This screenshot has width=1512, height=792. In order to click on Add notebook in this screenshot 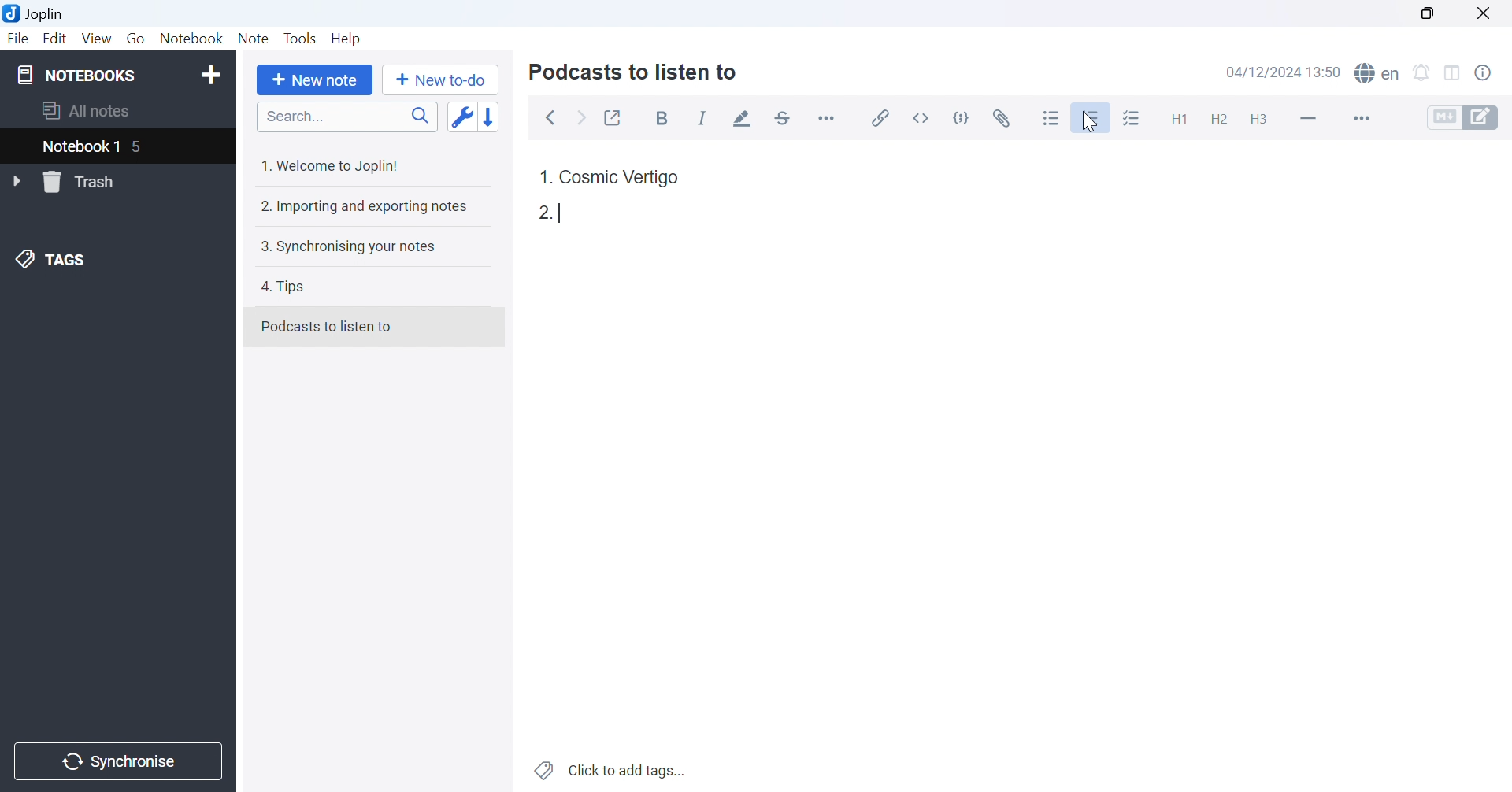, I will do `click(210, 77)`.